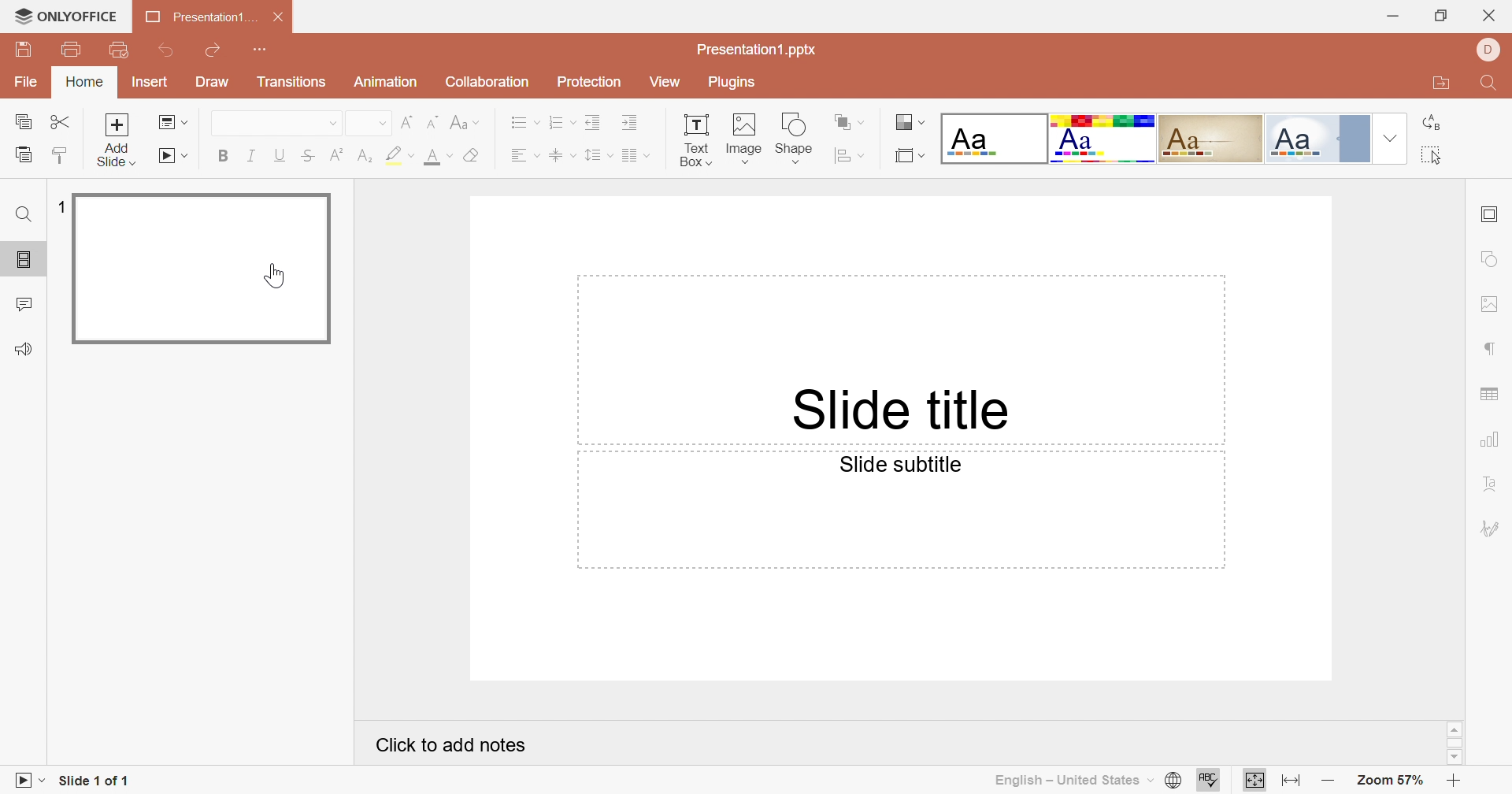  What do you see at coordinates (896, 407) in the screenshot?
I see `Slide title` at bounding box center [896, 407].